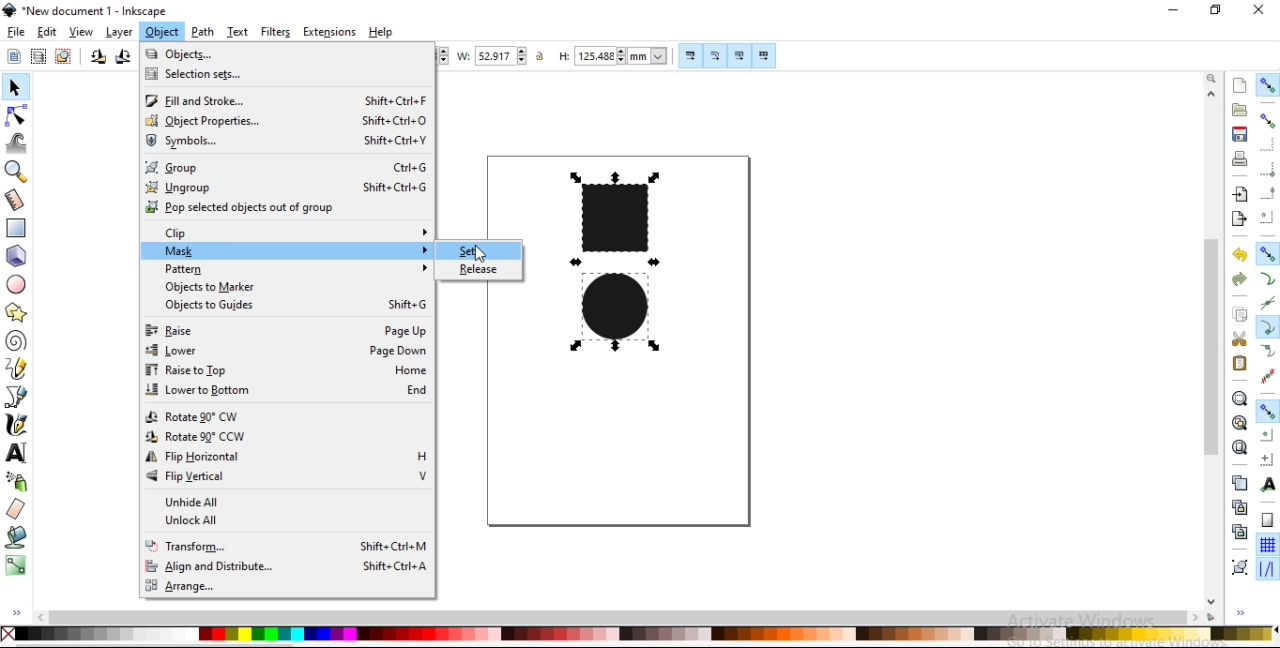 Image resolution: width=1280 pixels, height=648 pixels. Describe the element at coordinates (1214, 79) in the screenshot. I see `zoom` at that location.